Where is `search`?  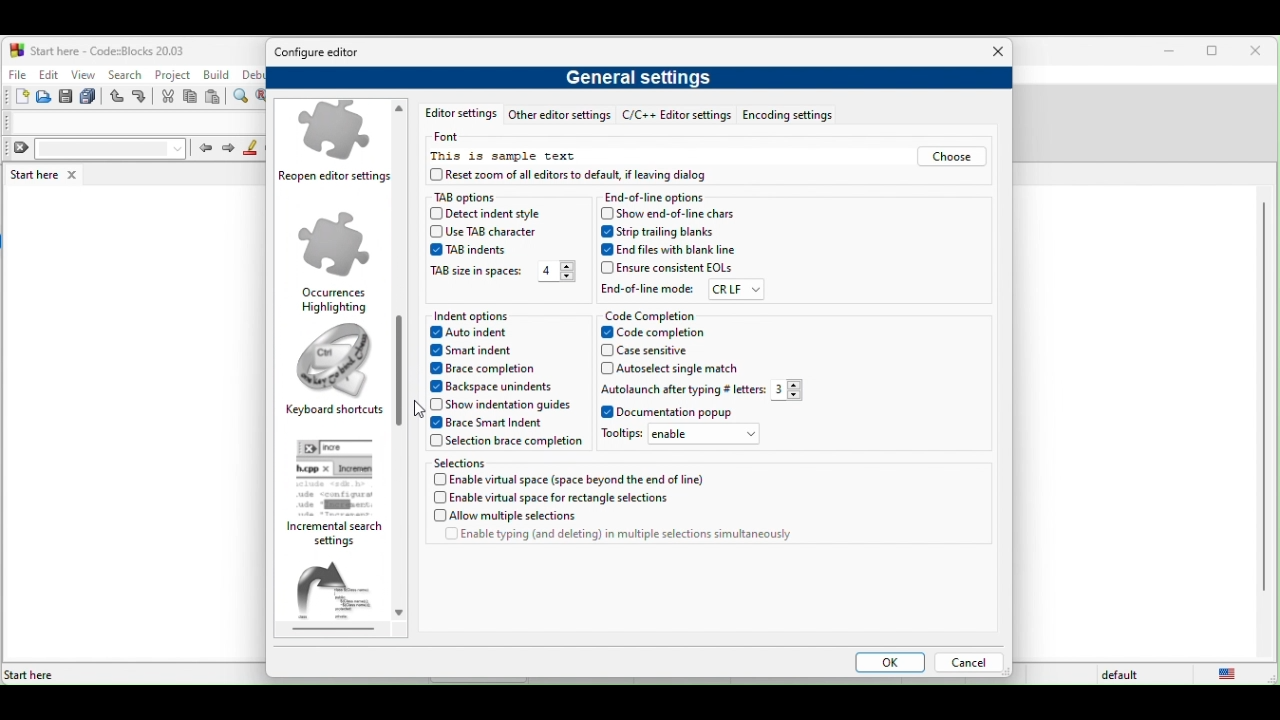 search is located at coordinates (124, 74).